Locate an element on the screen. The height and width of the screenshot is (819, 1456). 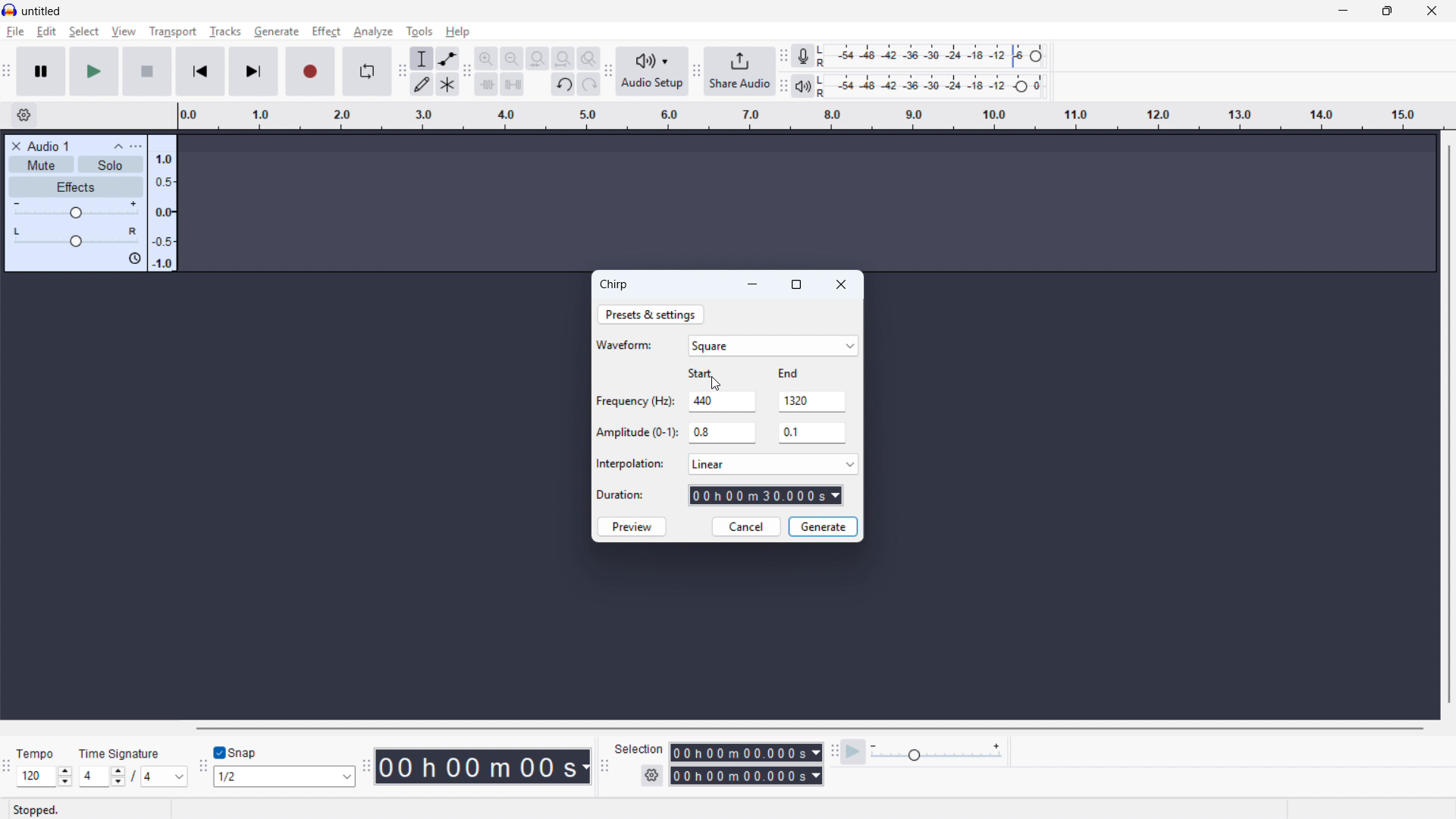
help  is located at coordinates (459, 31).